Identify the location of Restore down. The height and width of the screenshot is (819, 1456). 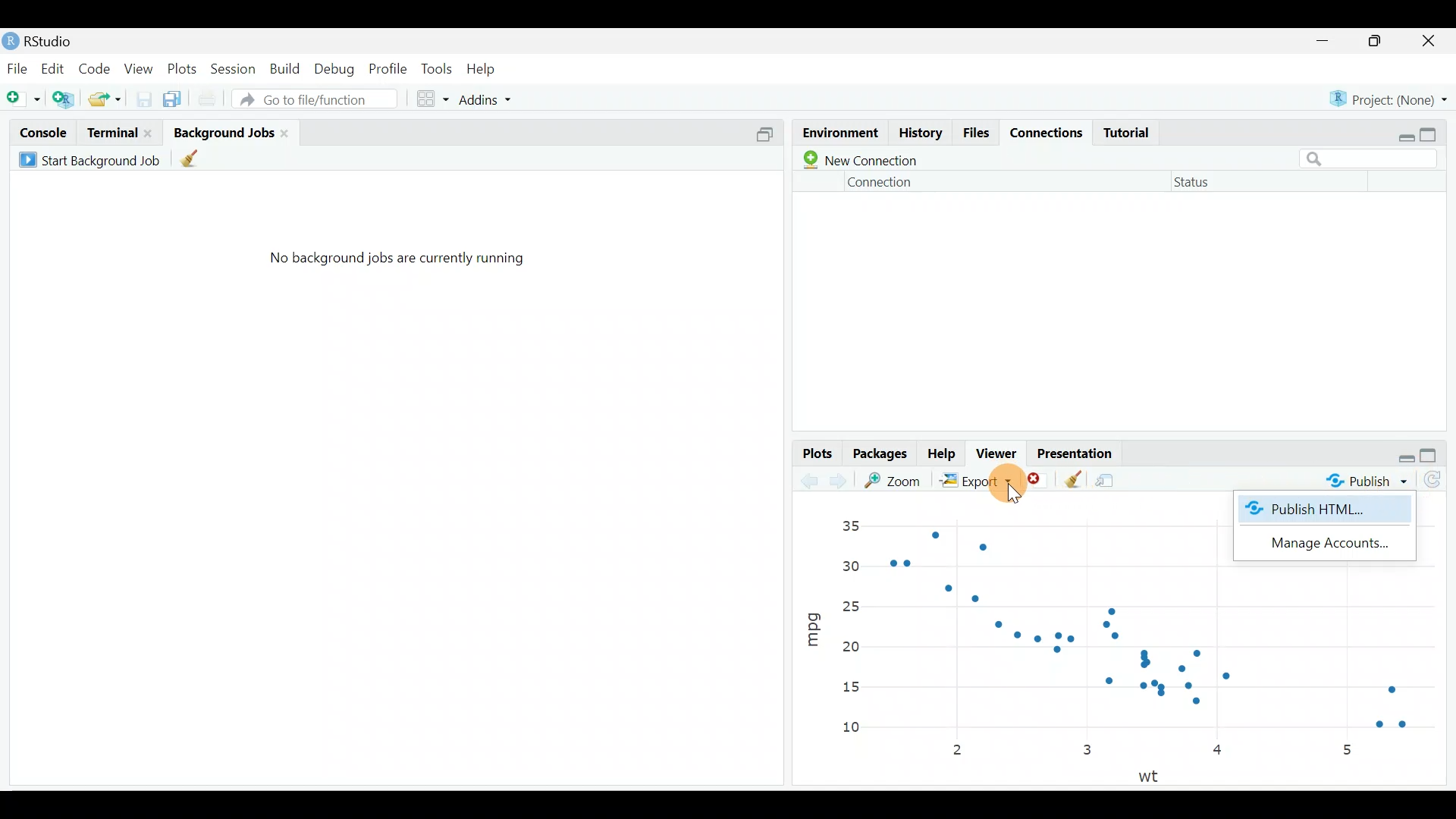
(1407, 457).